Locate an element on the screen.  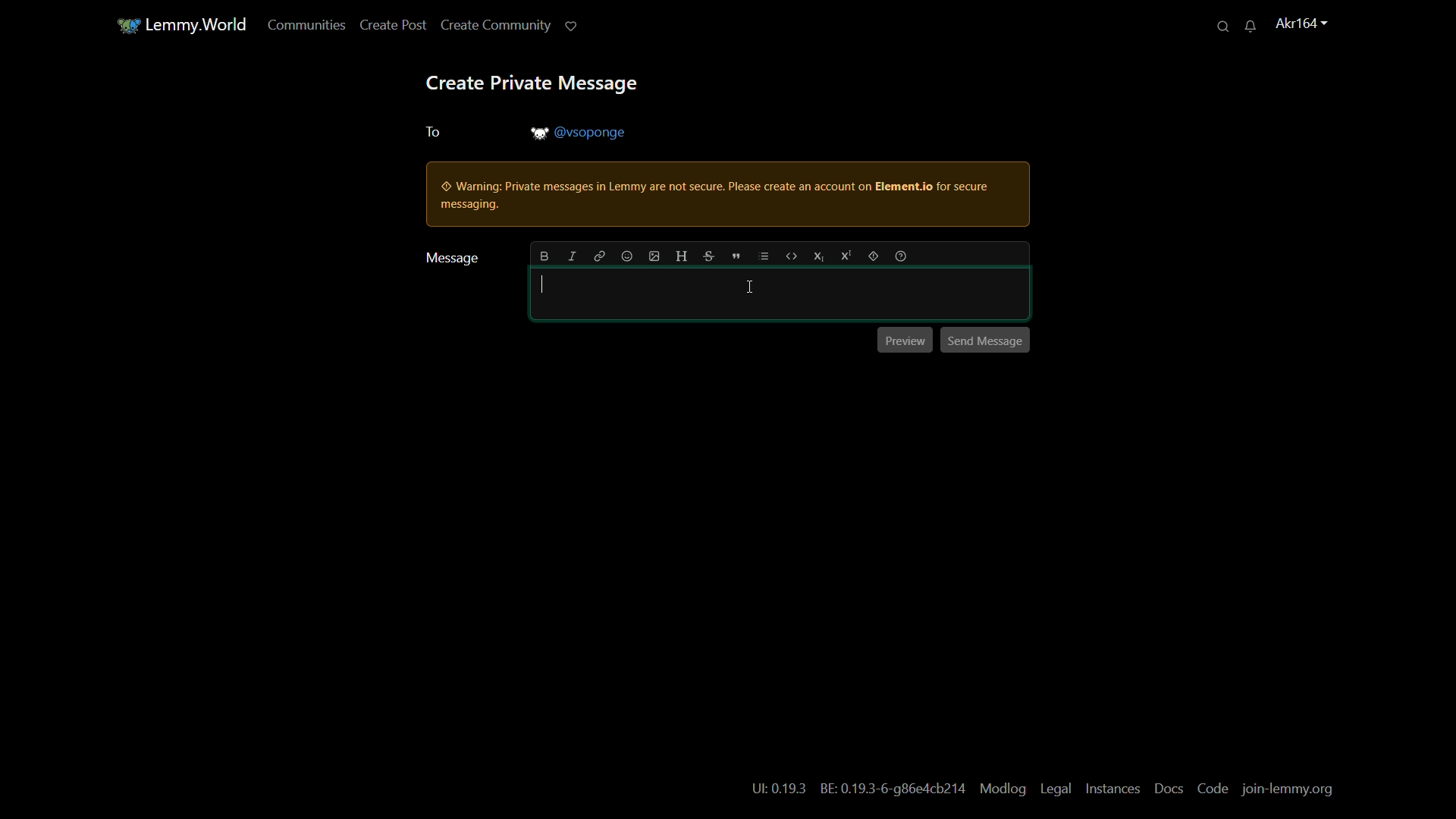
create community is located at coordinates (488, 27).